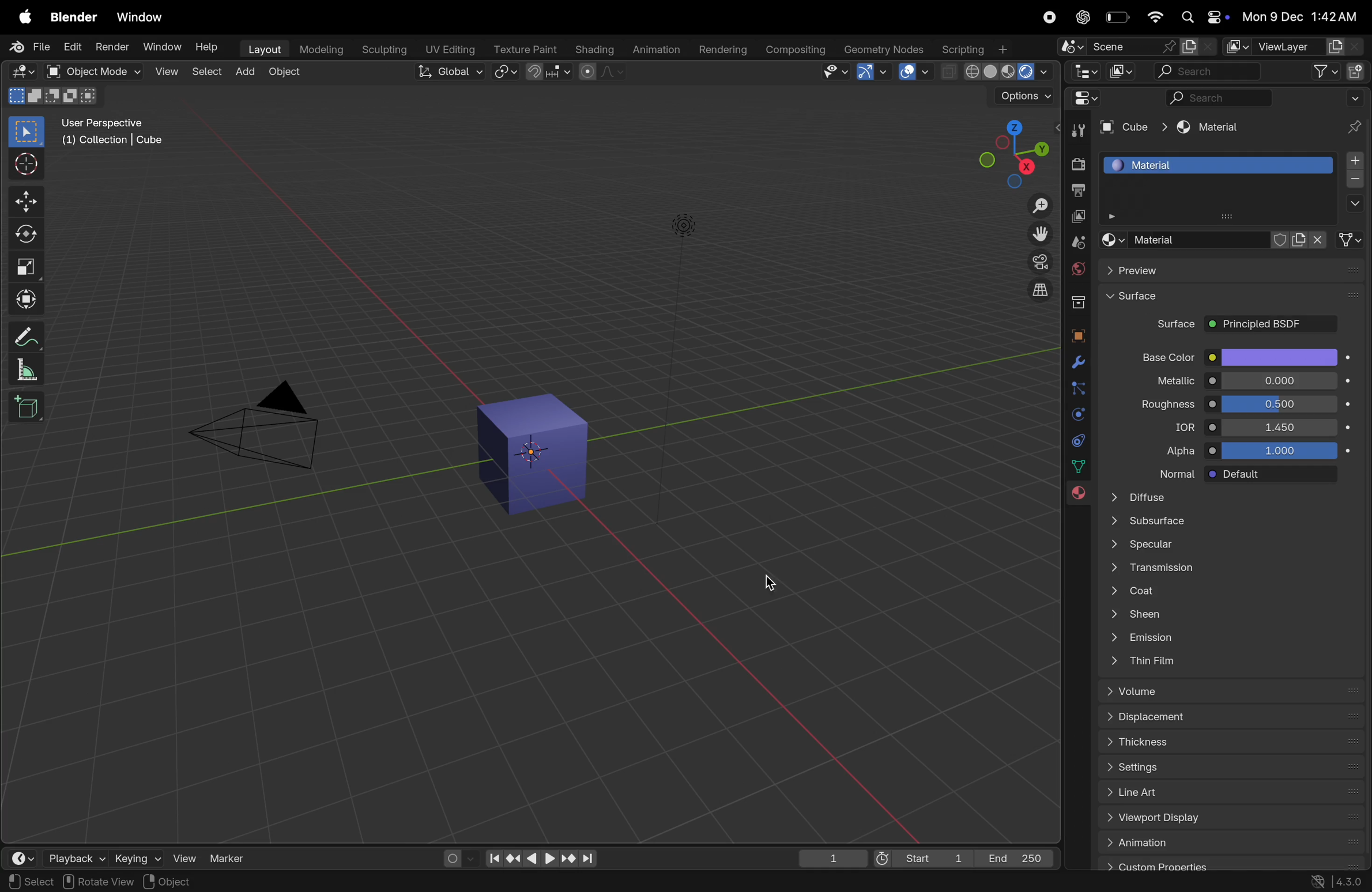 The width and height of the screenshot is (1372, 892). Describe the element at coordinates (22, 165) in the screenshot. I see `cursosr` at that location.